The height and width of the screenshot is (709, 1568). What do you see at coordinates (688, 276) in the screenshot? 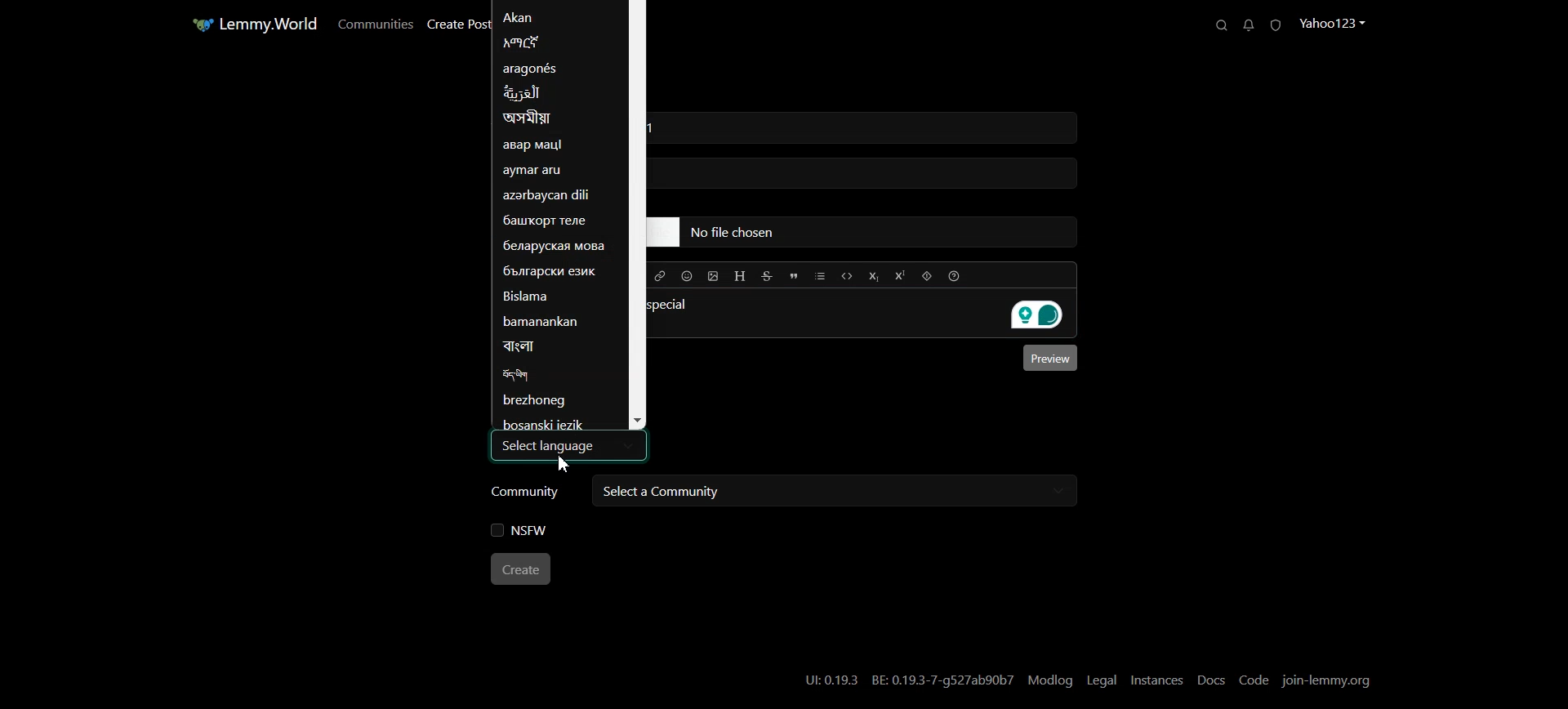
I see `Insert Emoji` at bounding box center [688, 276].